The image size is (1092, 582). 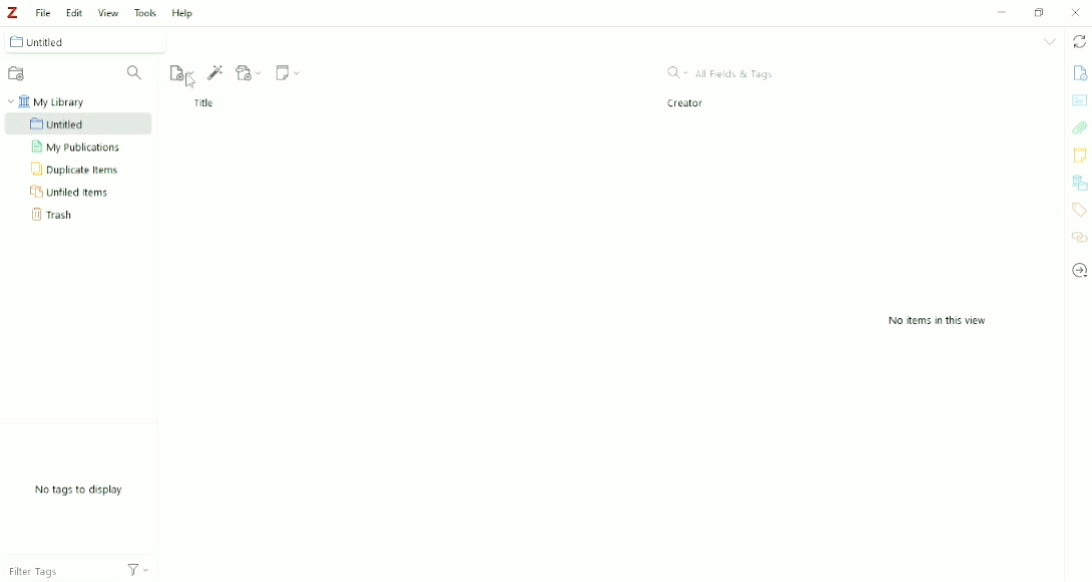 I want to click on Unfiled Items, so click(x=73, y=192).